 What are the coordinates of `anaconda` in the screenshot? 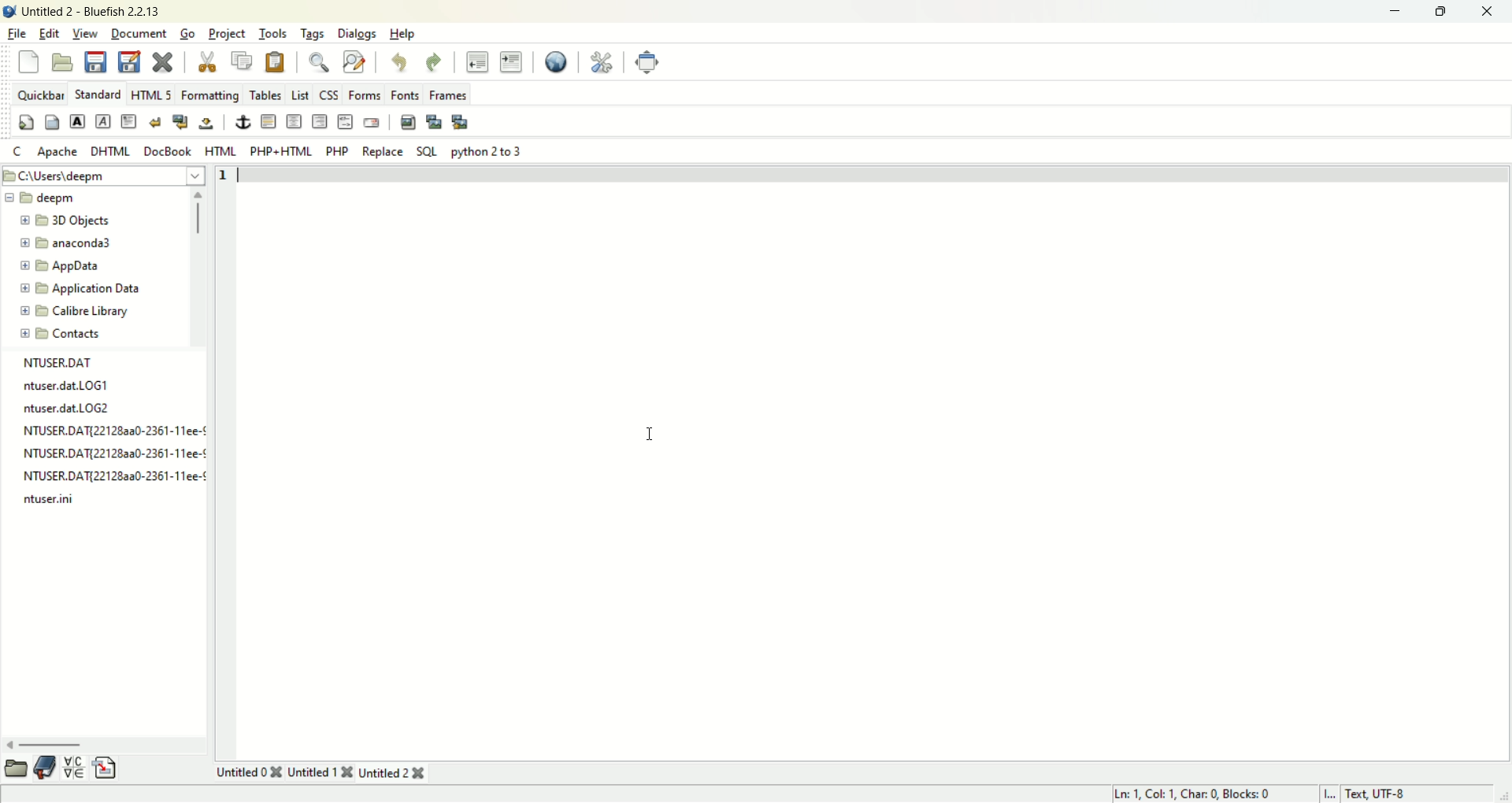 It's located at (69, 242).